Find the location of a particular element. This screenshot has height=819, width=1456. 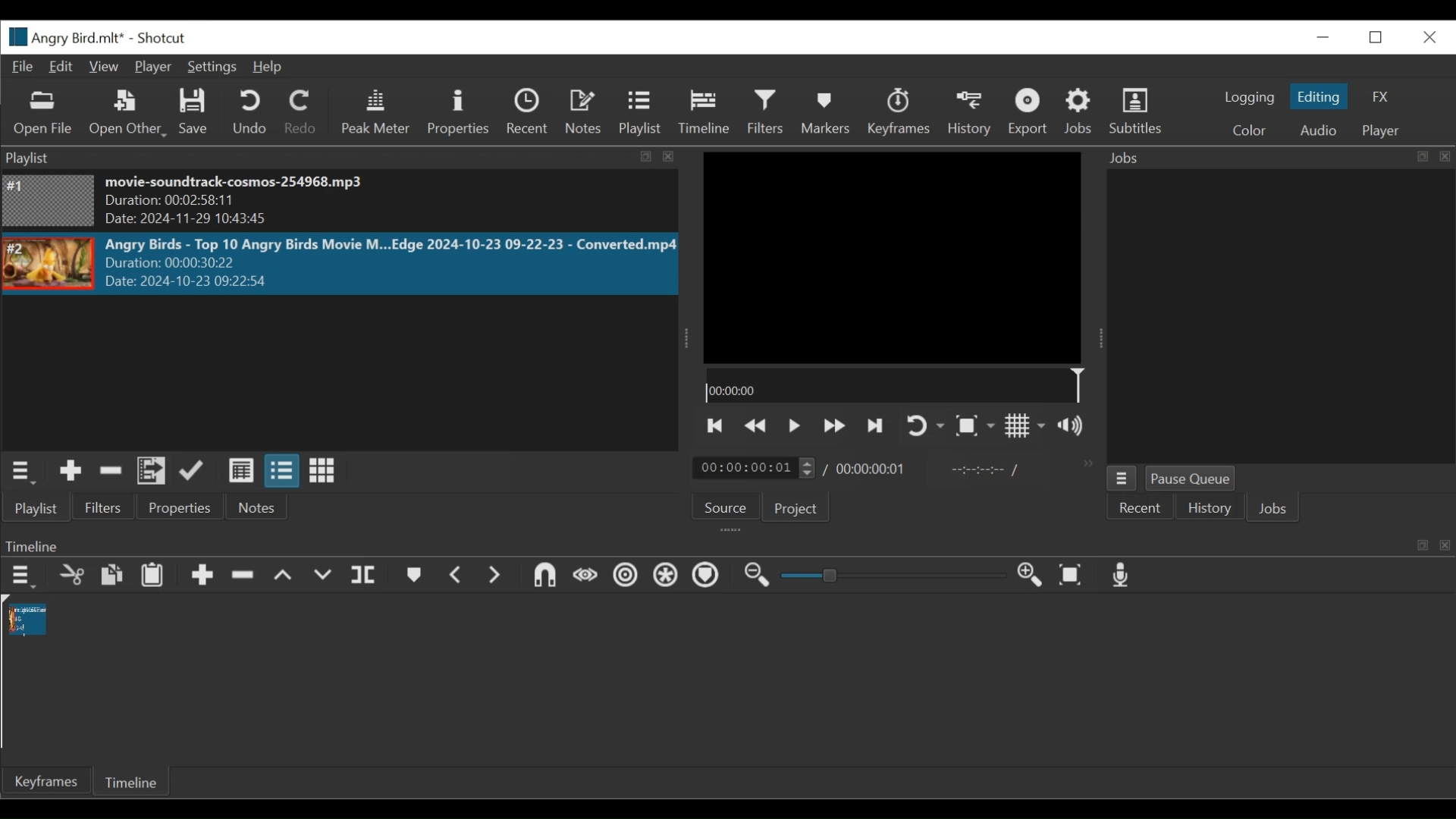

Zoom in  is located at coordinates (1035, 576).